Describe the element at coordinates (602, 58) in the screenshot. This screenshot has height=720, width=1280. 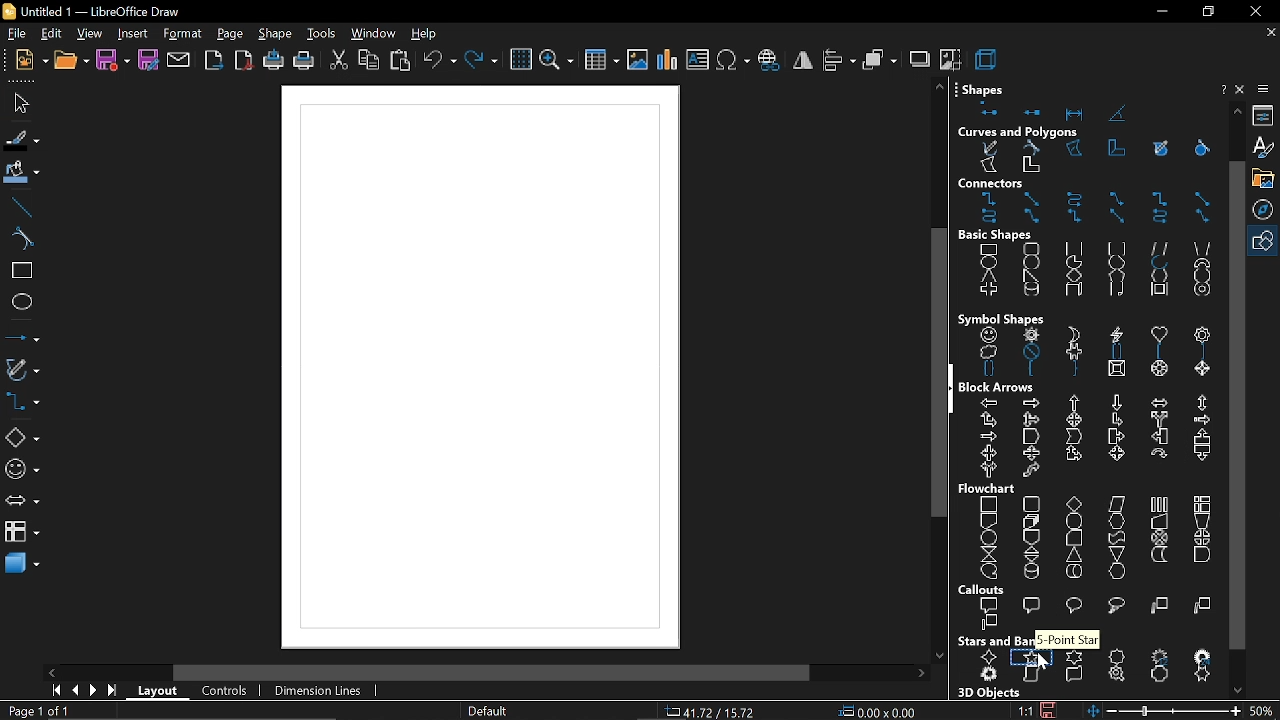
I see `insert table` at that location.